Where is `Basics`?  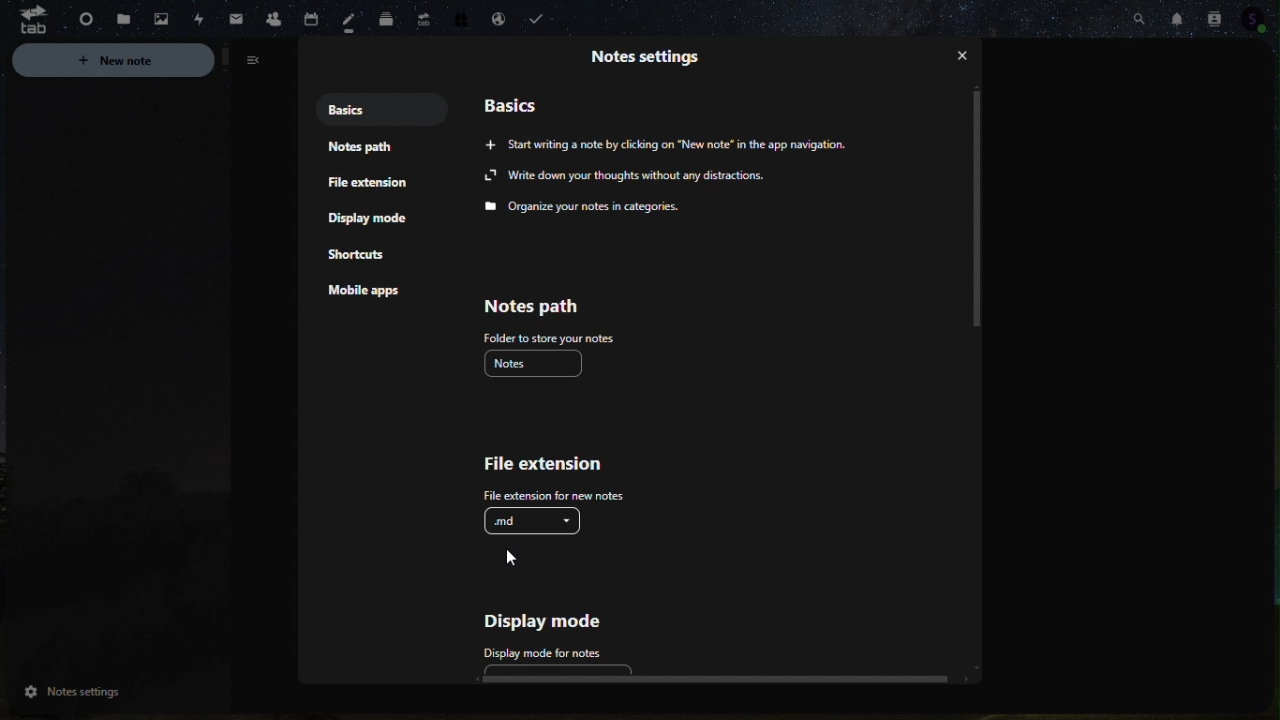 Basics is located at coordinates (342, 108).